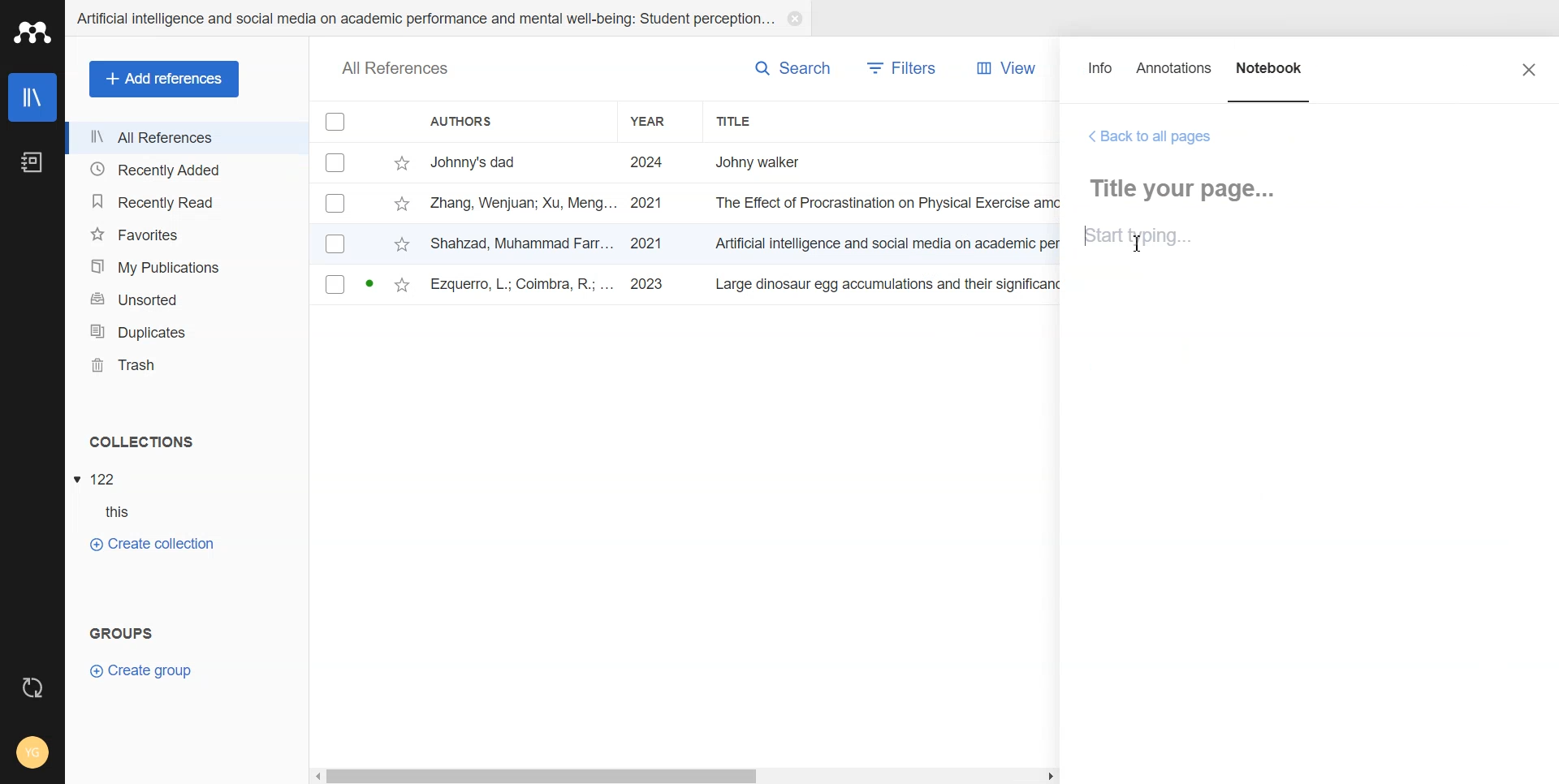 Image resolution: width=1559 pixels, height=784 pixels. Describe the element at coordinates (661, 121) in the screenshot. I see `Year` at that location.